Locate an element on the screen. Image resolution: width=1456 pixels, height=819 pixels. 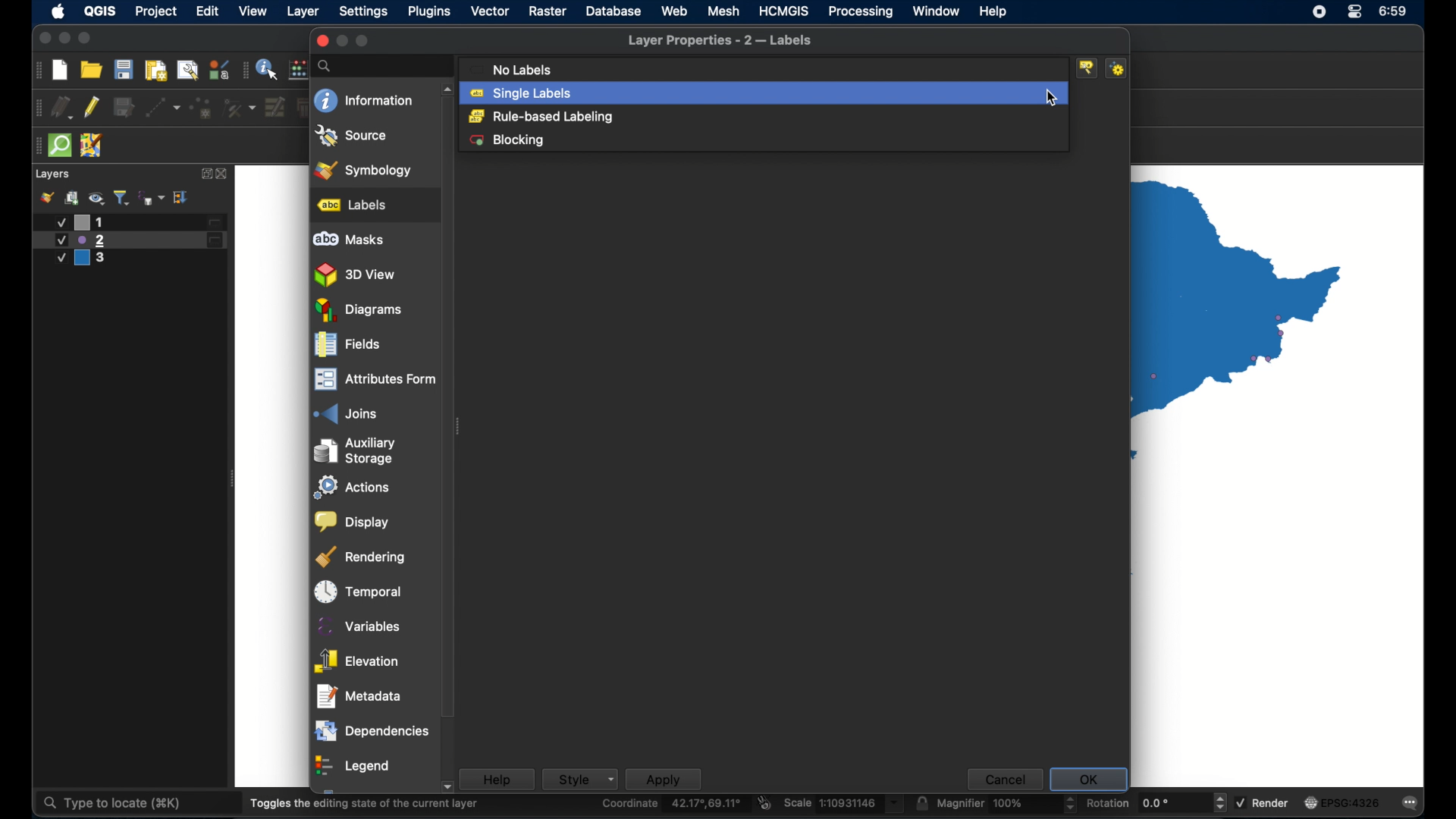
blocking is located at coordinates (510, 140).